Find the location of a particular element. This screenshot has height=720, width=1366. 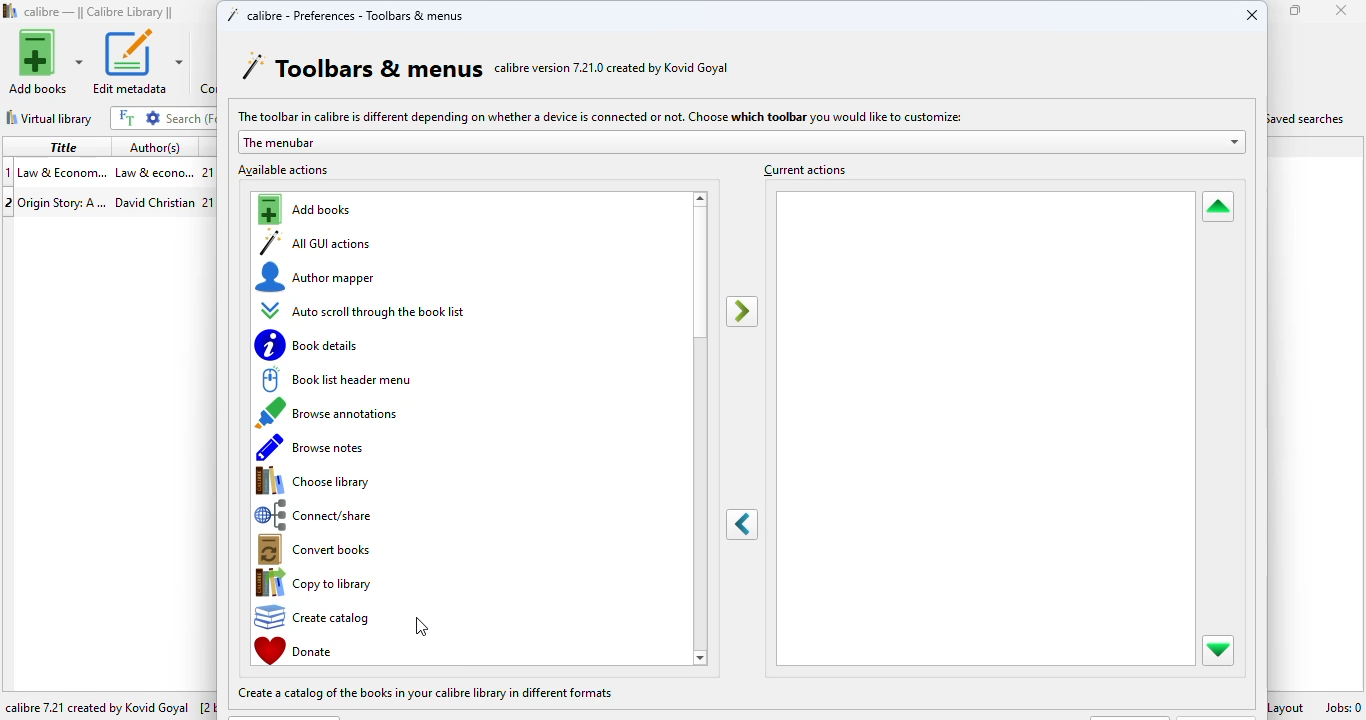

title is located at coordinates (63, 146).